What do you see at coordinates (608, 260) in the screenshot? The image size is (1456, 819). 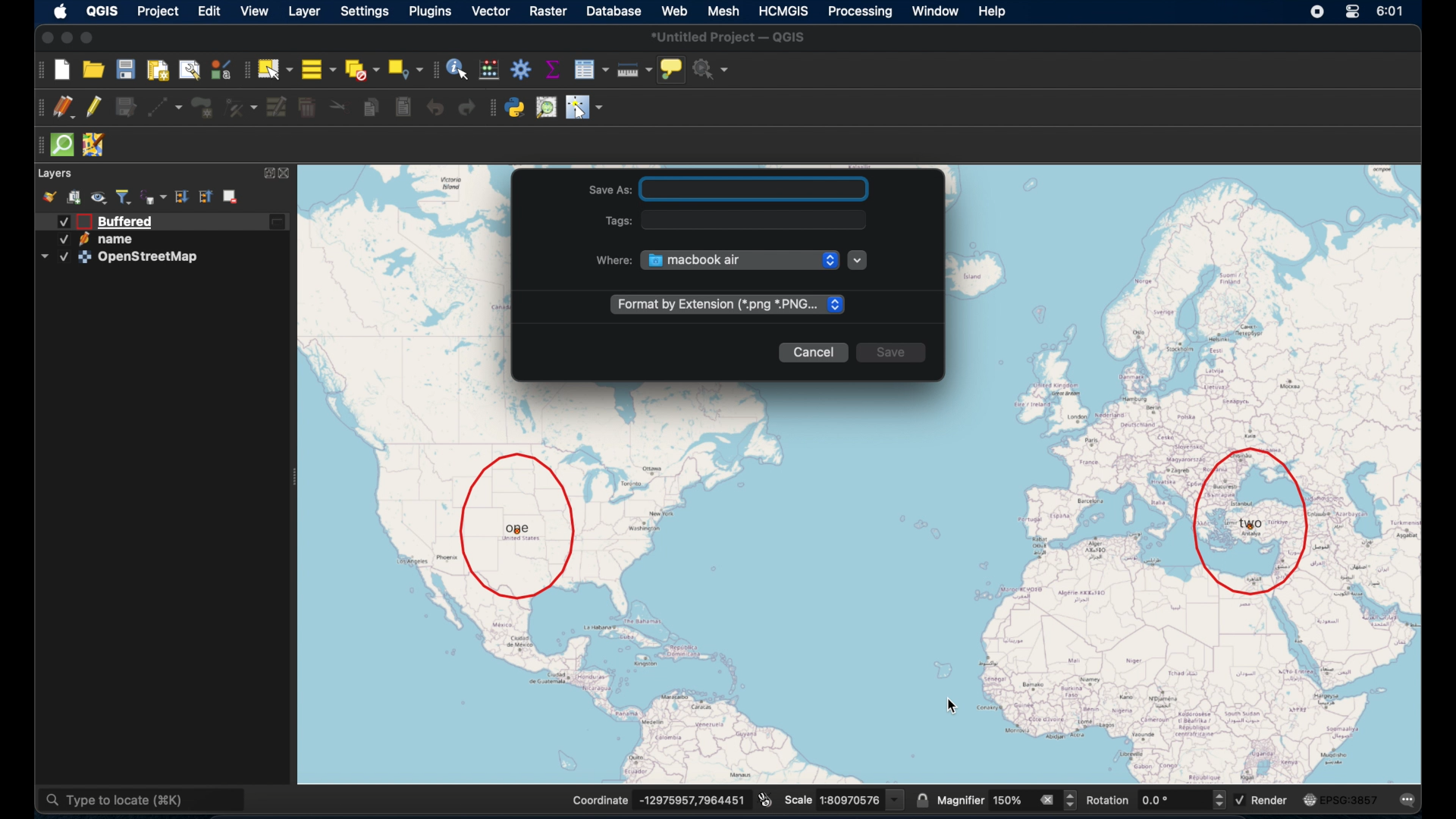 I see `where` at bounding box center [608, 260].